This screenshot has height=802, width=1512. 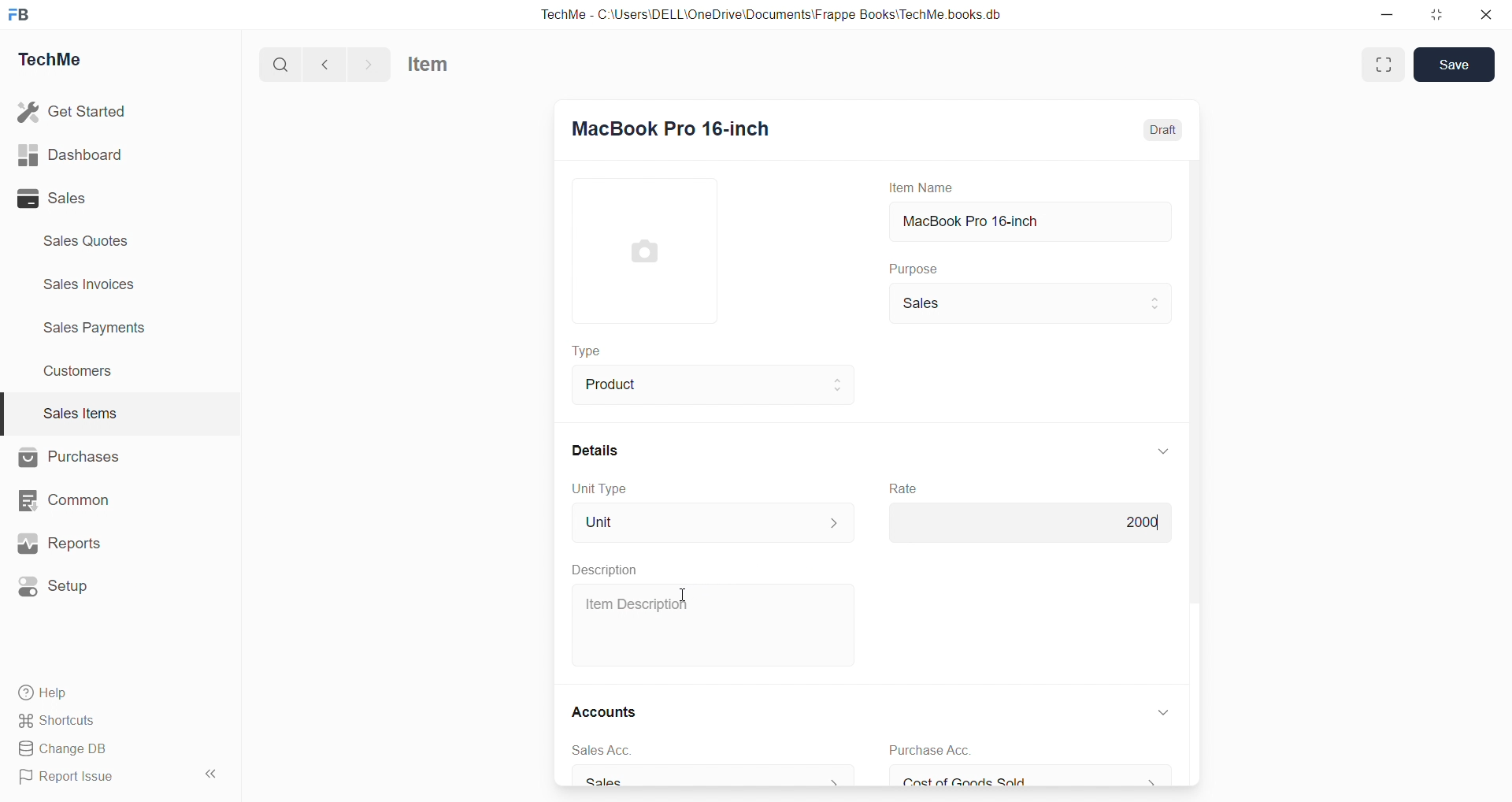 What do you see at coordinates (712, 778) in the screenshot?
I see `Sales` at bounding box center [712, 778].